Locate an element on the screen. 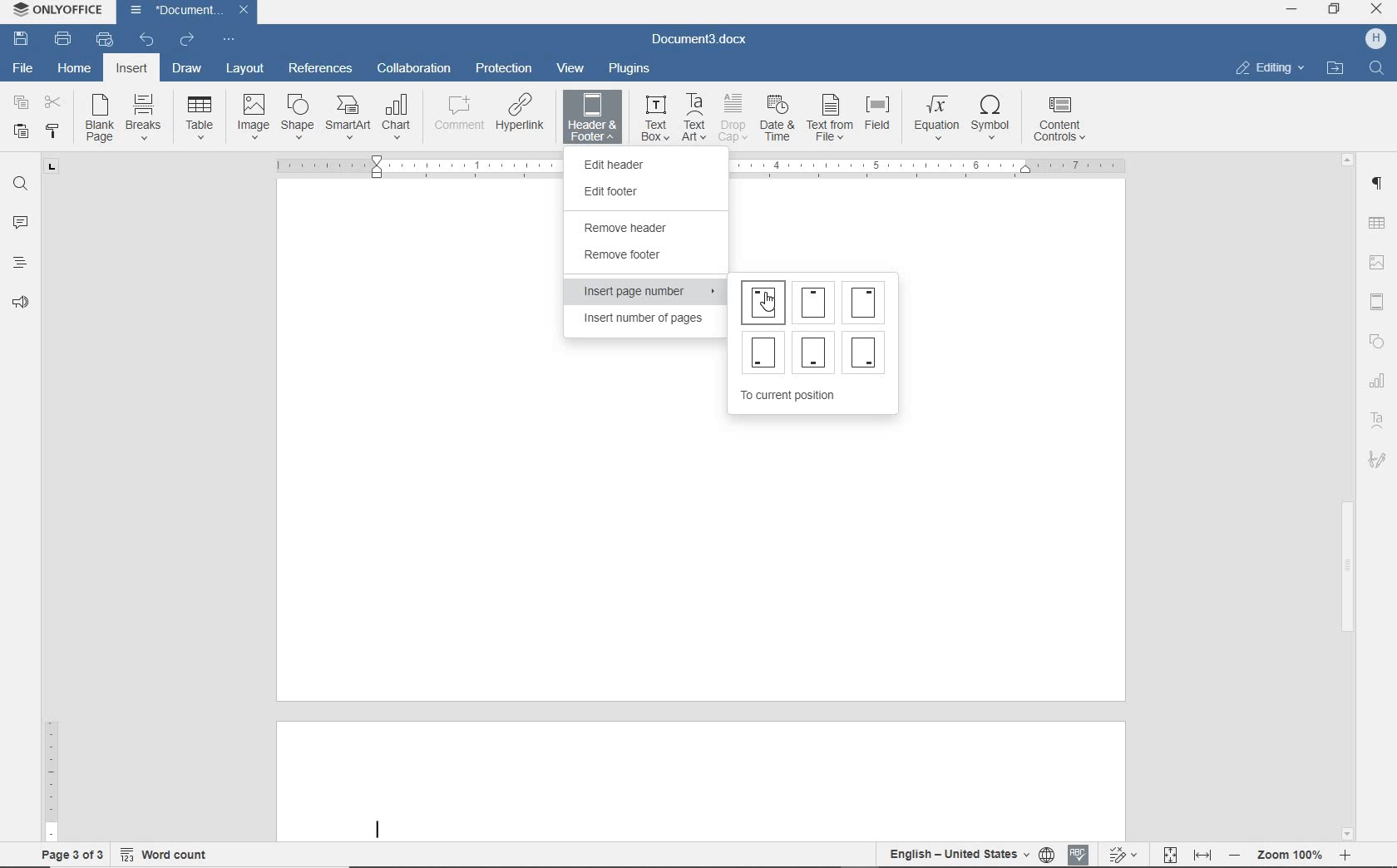 This screenshot has height=868, width=1397. Spell check is located at coordinates (1079, 852).